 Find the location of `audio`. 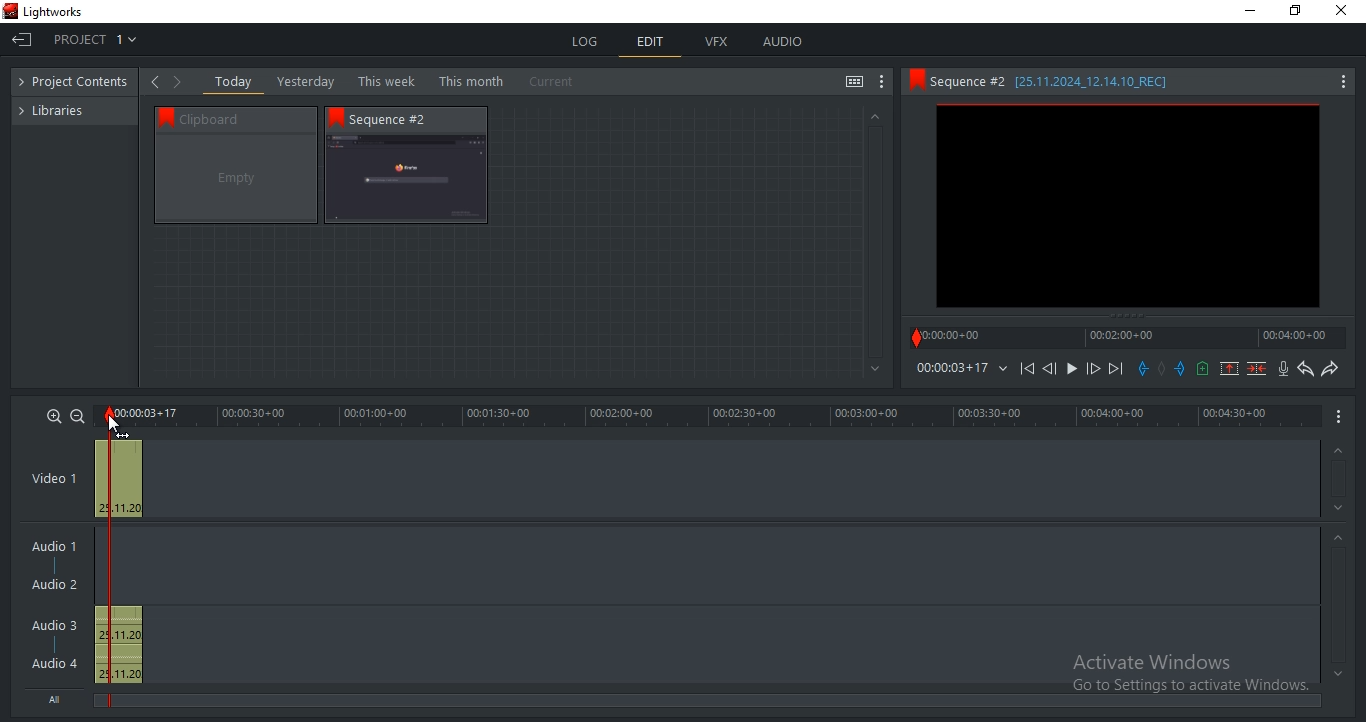

audio is located at coordinates (118, 645).